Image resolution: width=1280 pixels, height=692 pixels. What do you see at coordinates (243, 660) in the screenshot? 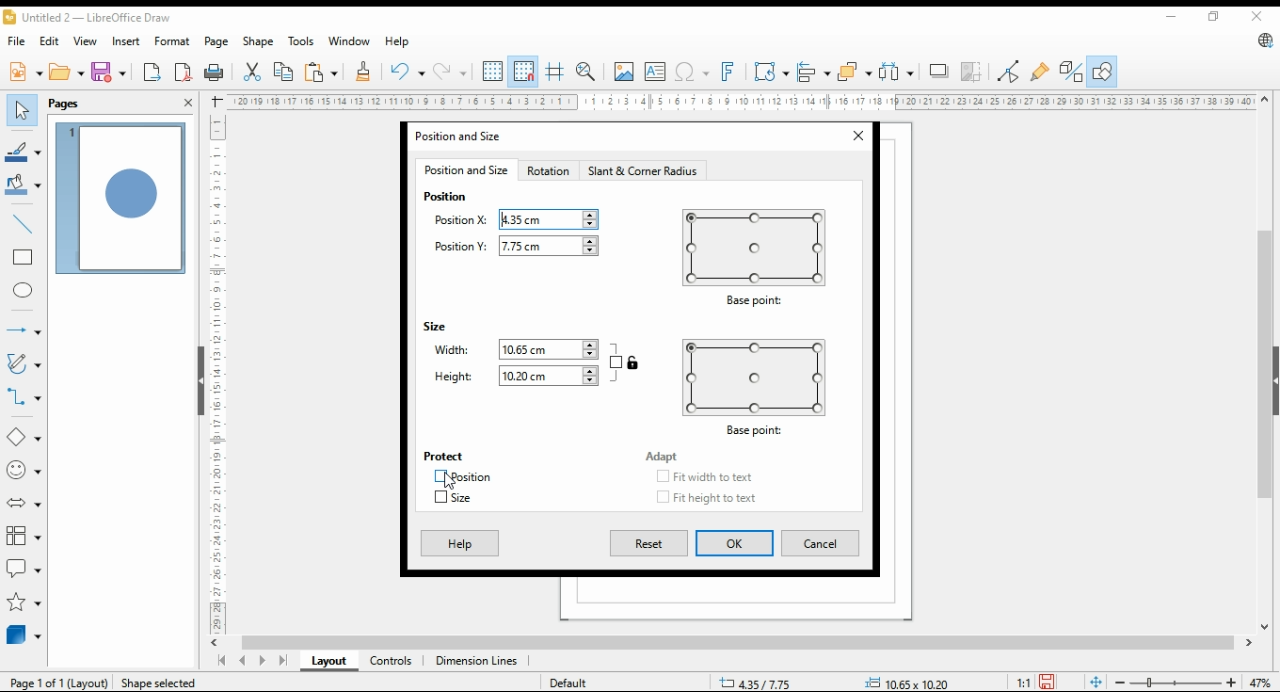
I see `previous page` at bounding box center [243, 660].